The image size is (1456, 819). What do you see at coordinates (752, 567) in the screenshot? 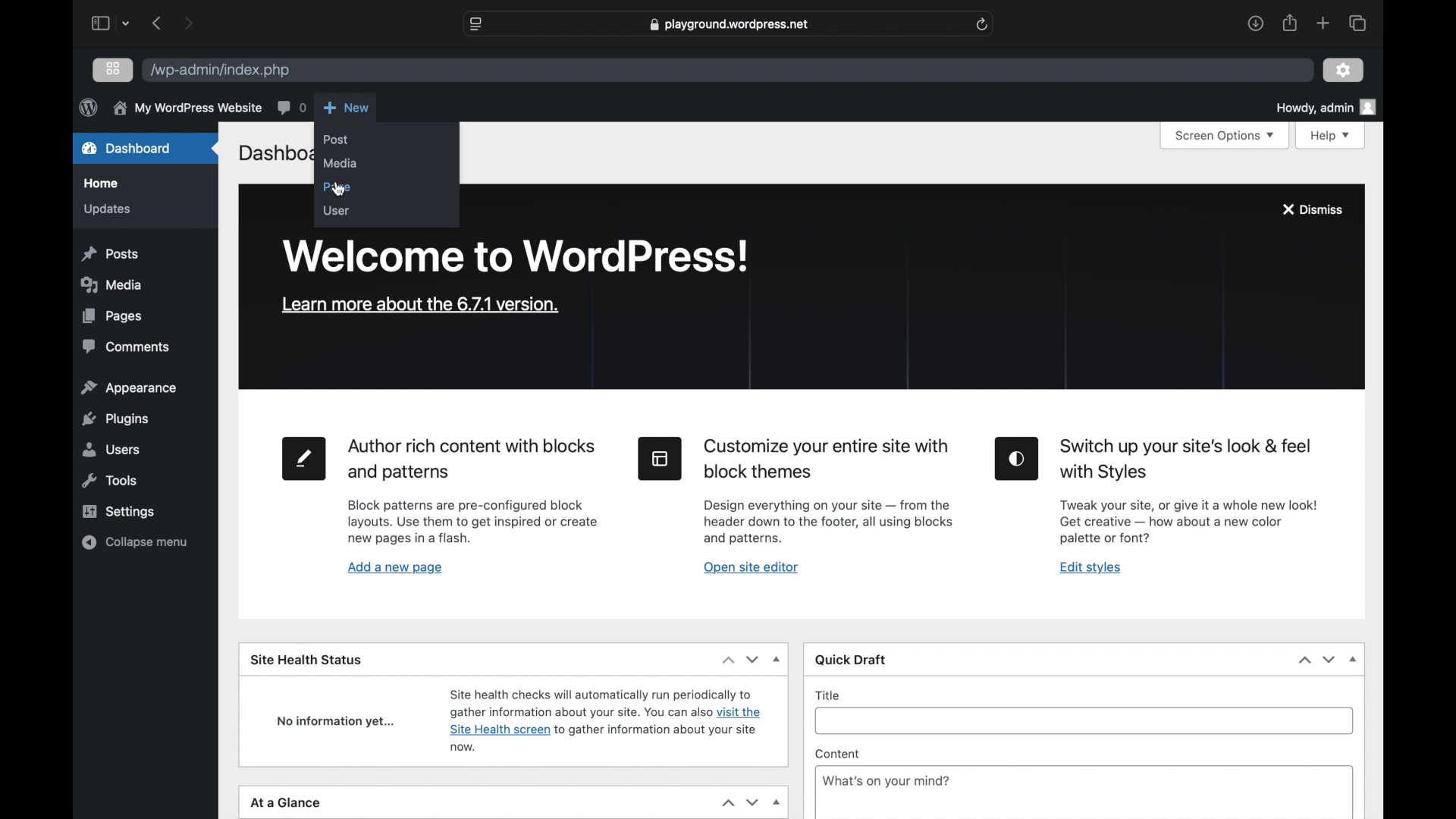
I see `open site editor` at bounding box center [752, 567].